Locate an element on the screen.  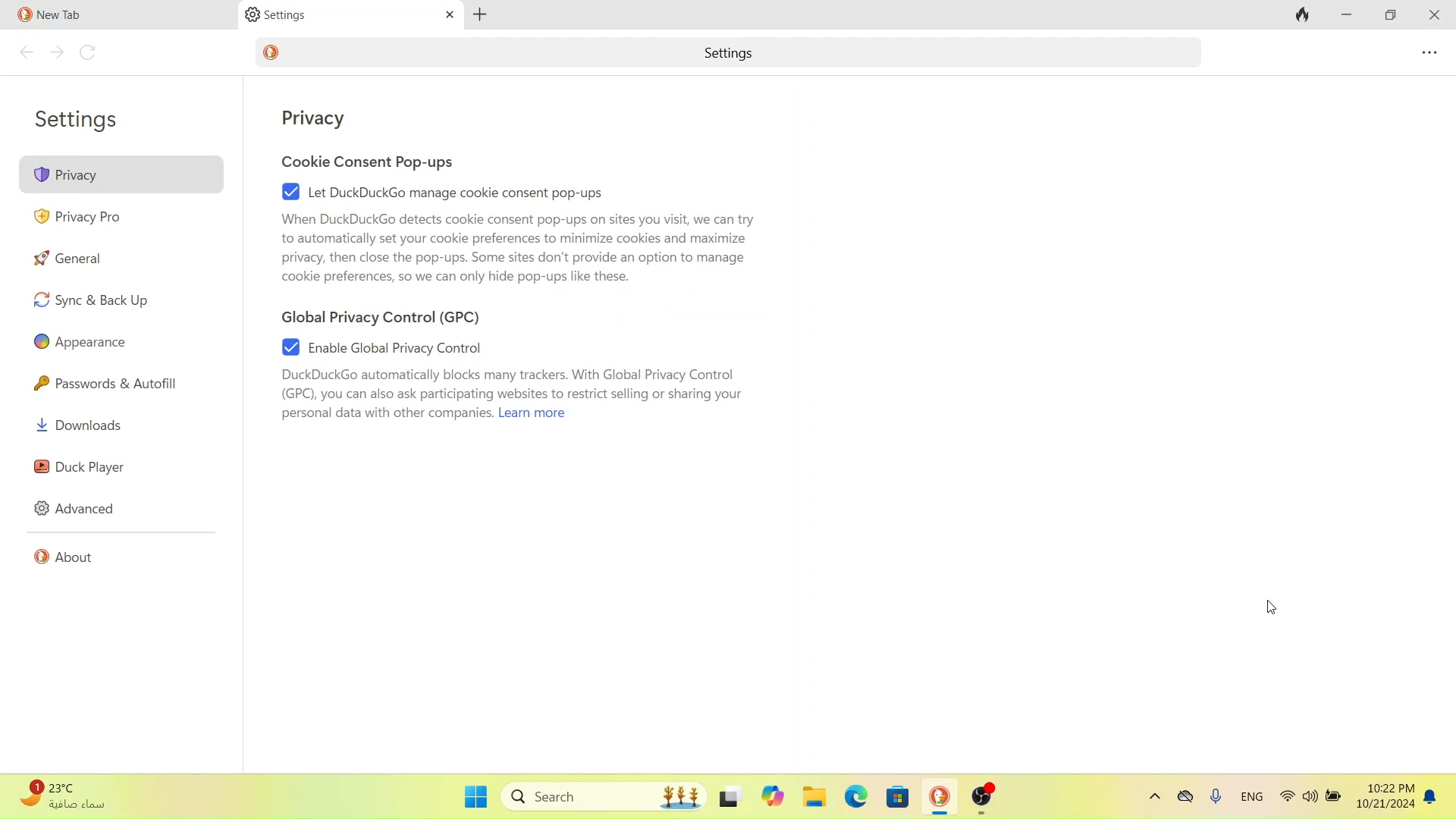
appearance is located at coordinates (83, 340).